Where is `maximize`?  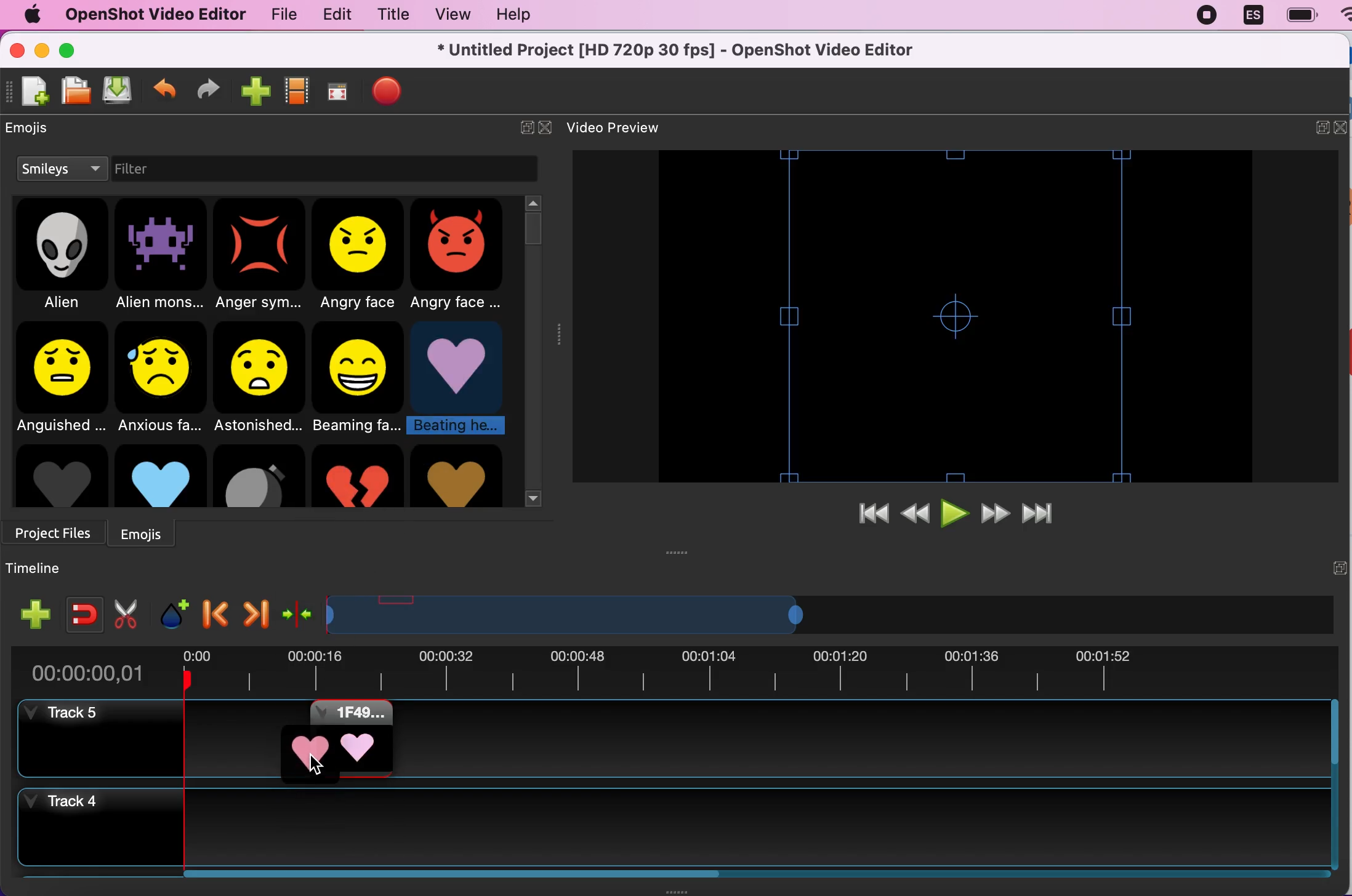 maximize is located at coordinates (71, 49).